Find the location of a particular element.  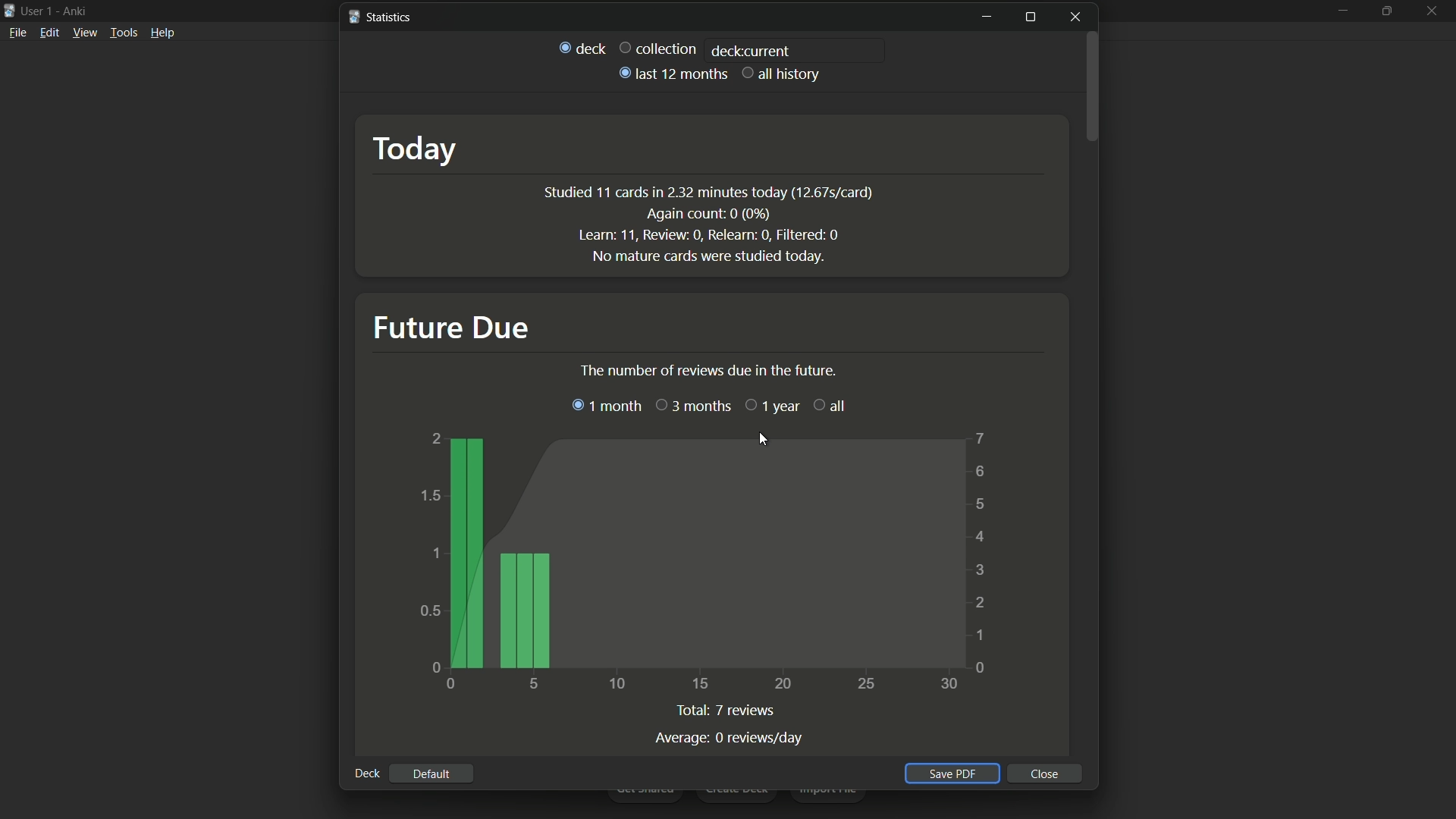

all is located at coordinates (827, 405).